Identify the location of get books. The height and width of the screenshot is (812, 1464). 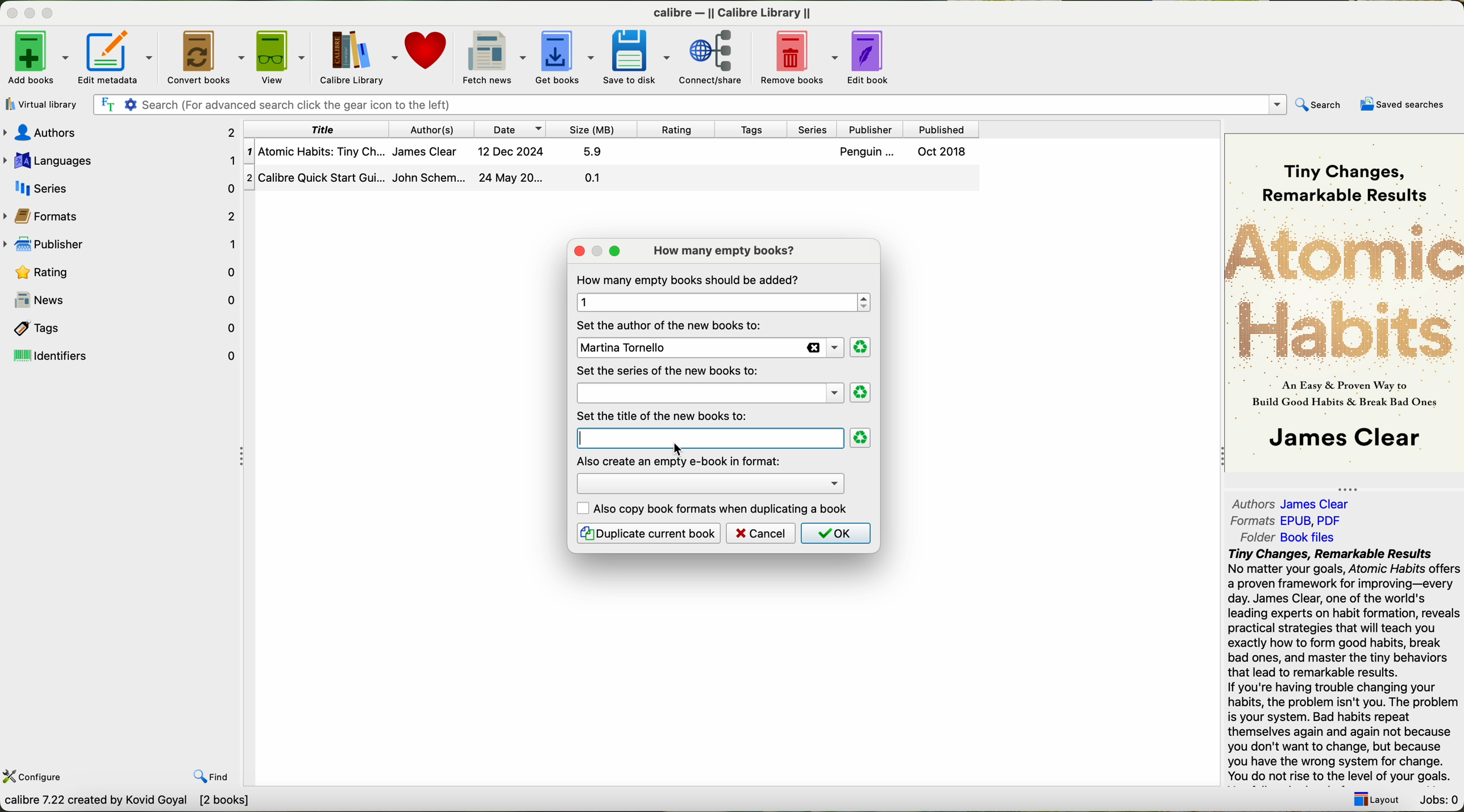
(563, 57).